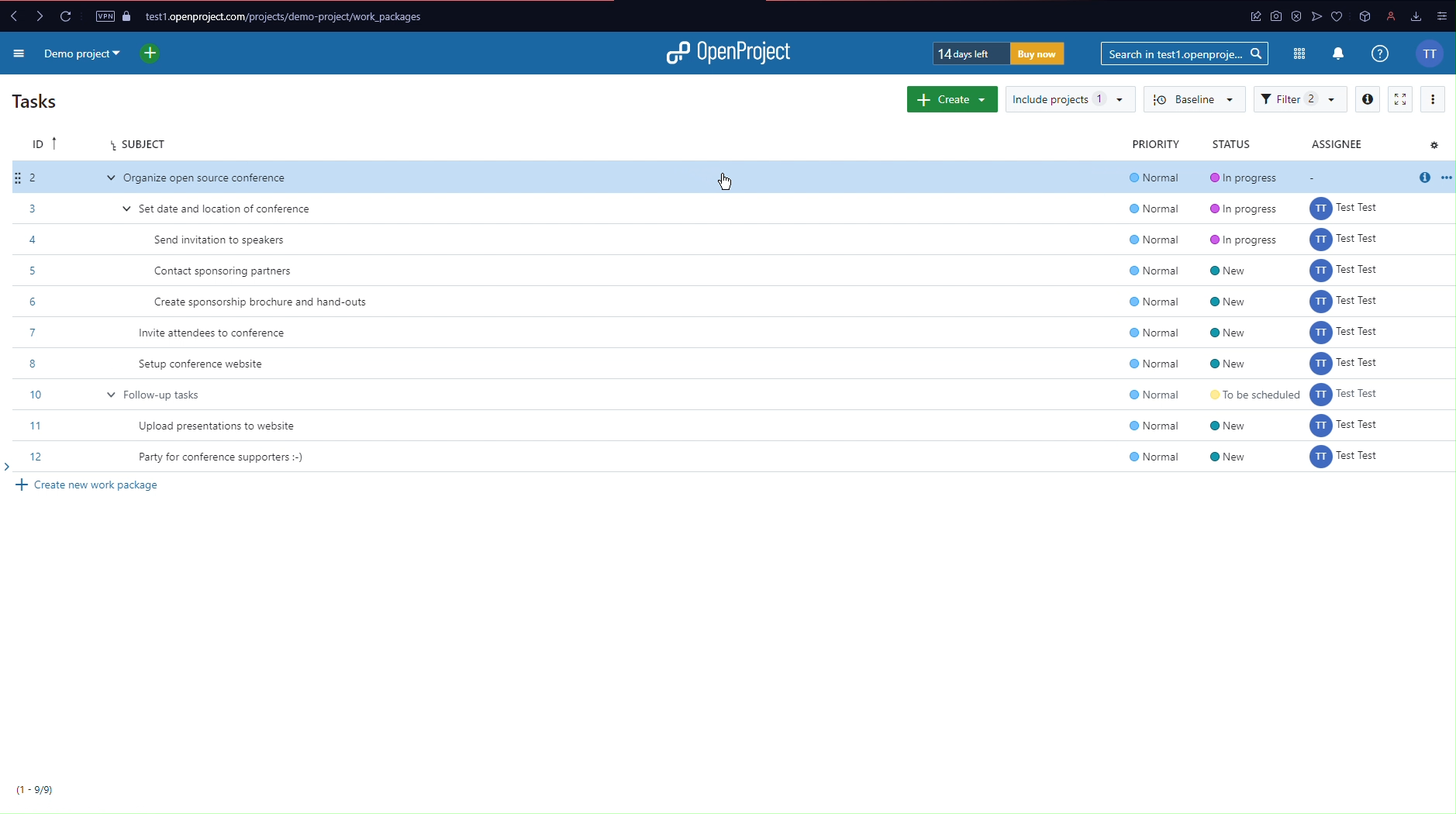  I want to click on Create sponsorship brochure and hand-outs, so click(274, 300).